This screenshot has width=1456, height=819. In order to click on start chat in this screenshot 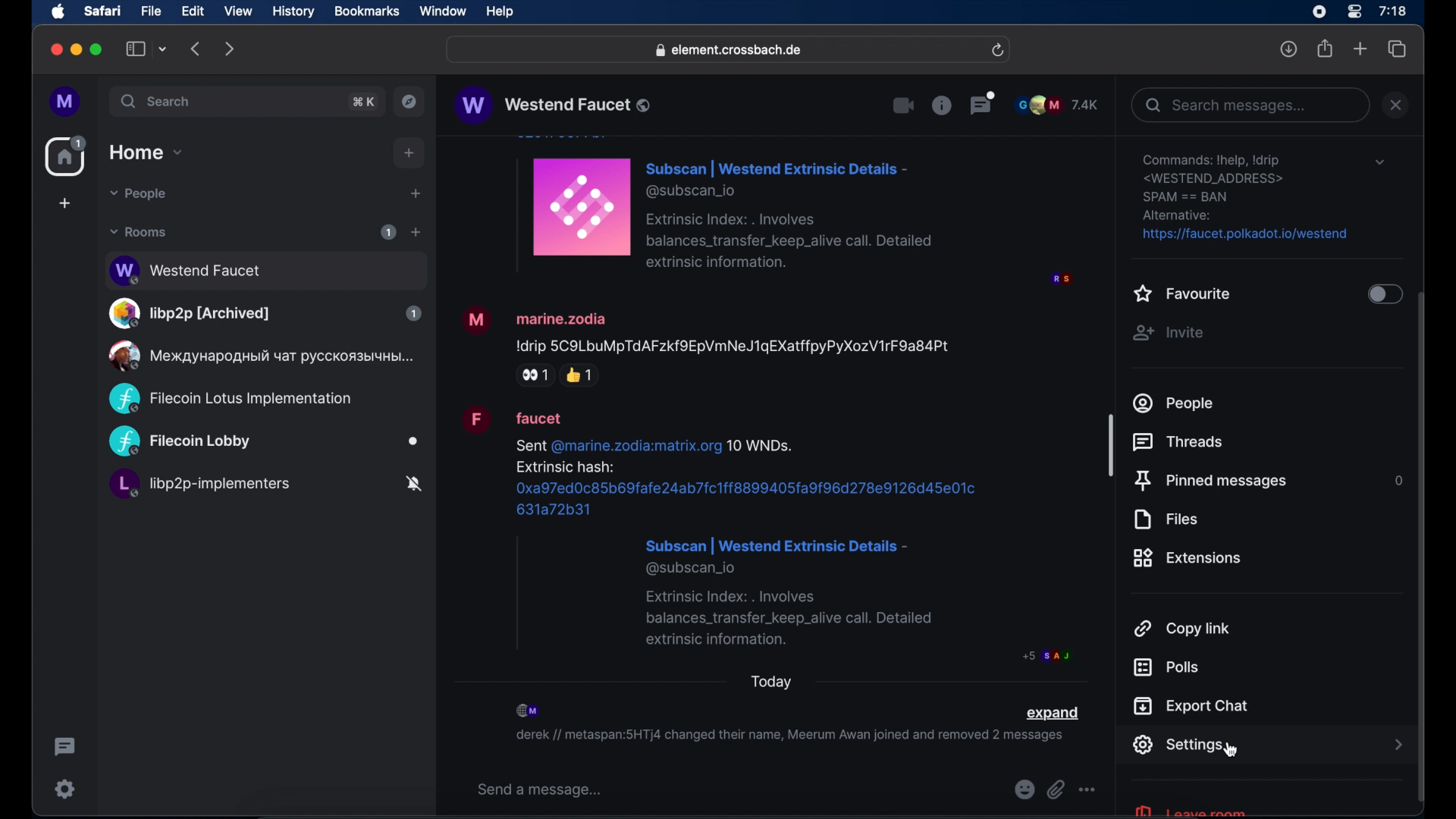, I will do `click(415, 194)`.